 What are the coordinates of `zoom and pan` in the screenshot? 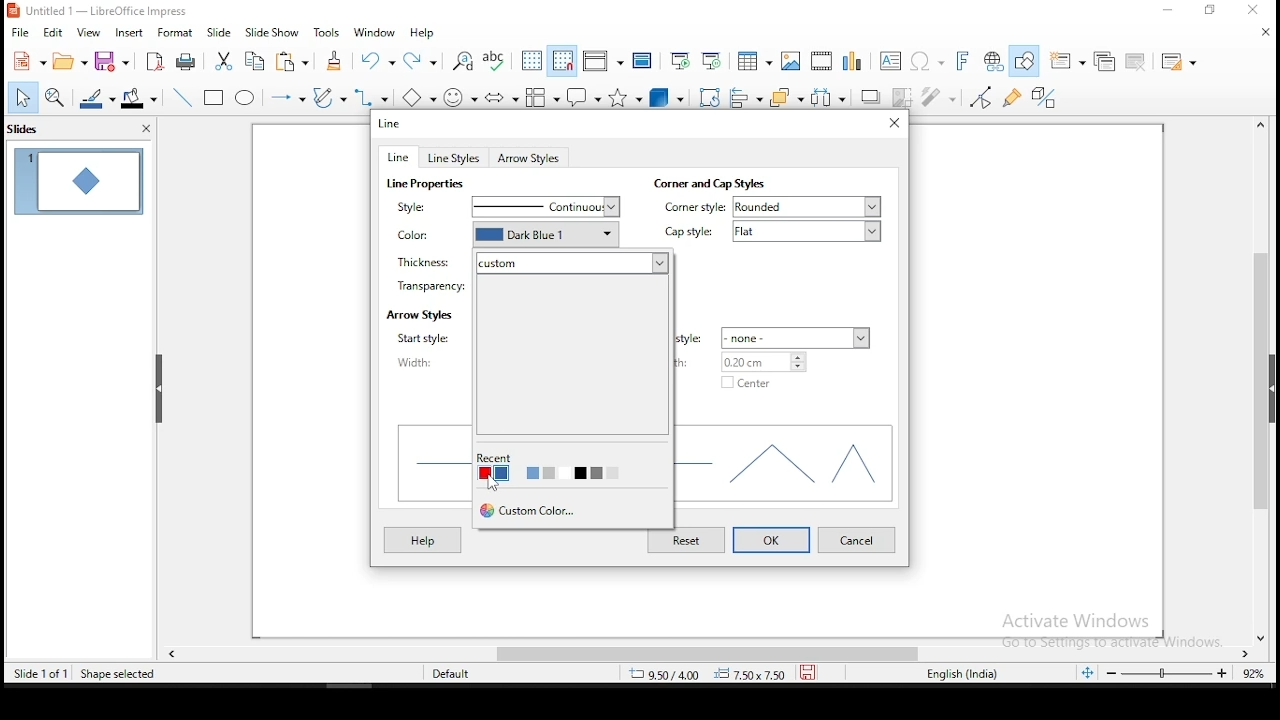 It's located at (55, 100).